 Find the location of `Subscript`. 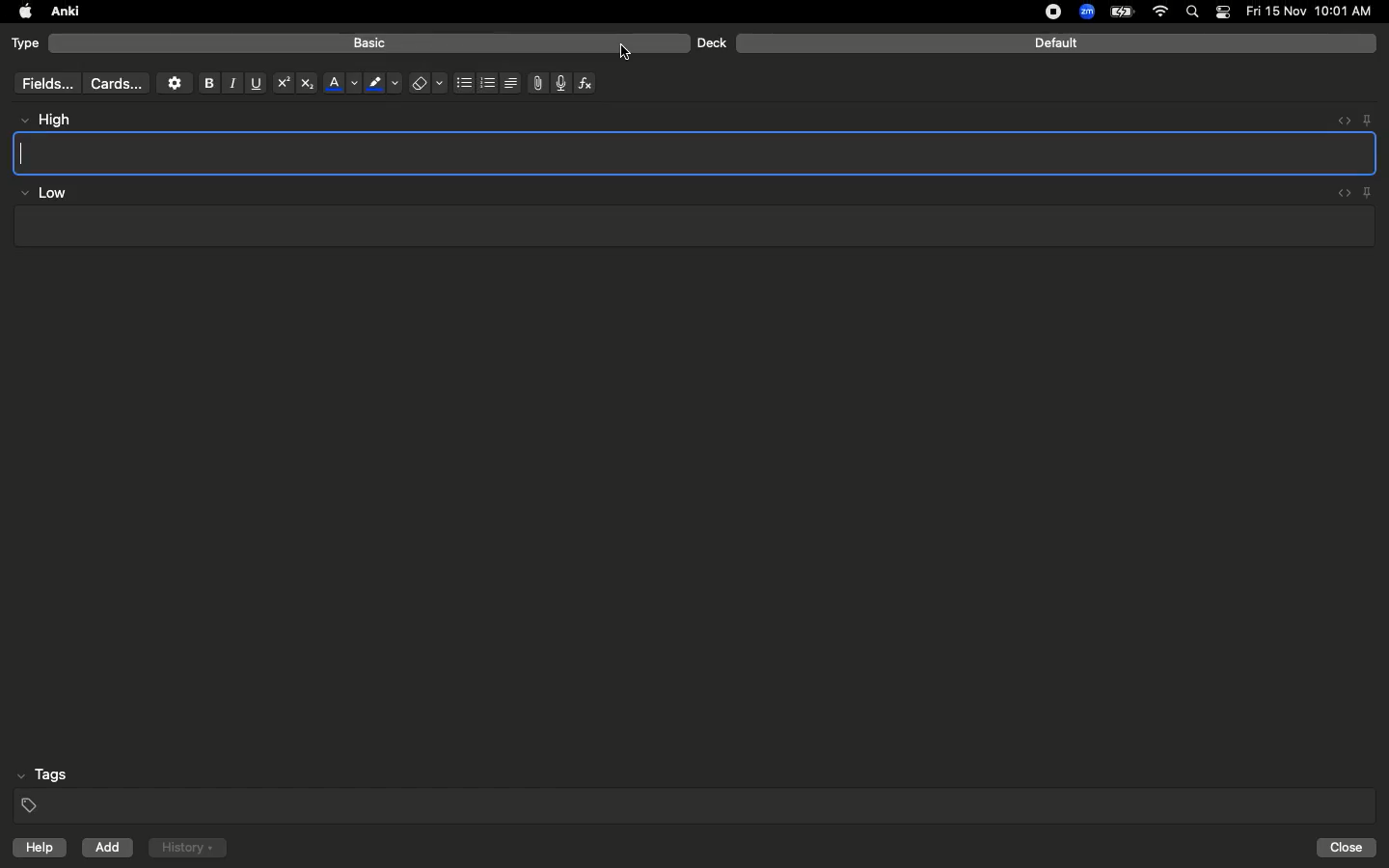

Subscript is located at coordinates (307, 84).